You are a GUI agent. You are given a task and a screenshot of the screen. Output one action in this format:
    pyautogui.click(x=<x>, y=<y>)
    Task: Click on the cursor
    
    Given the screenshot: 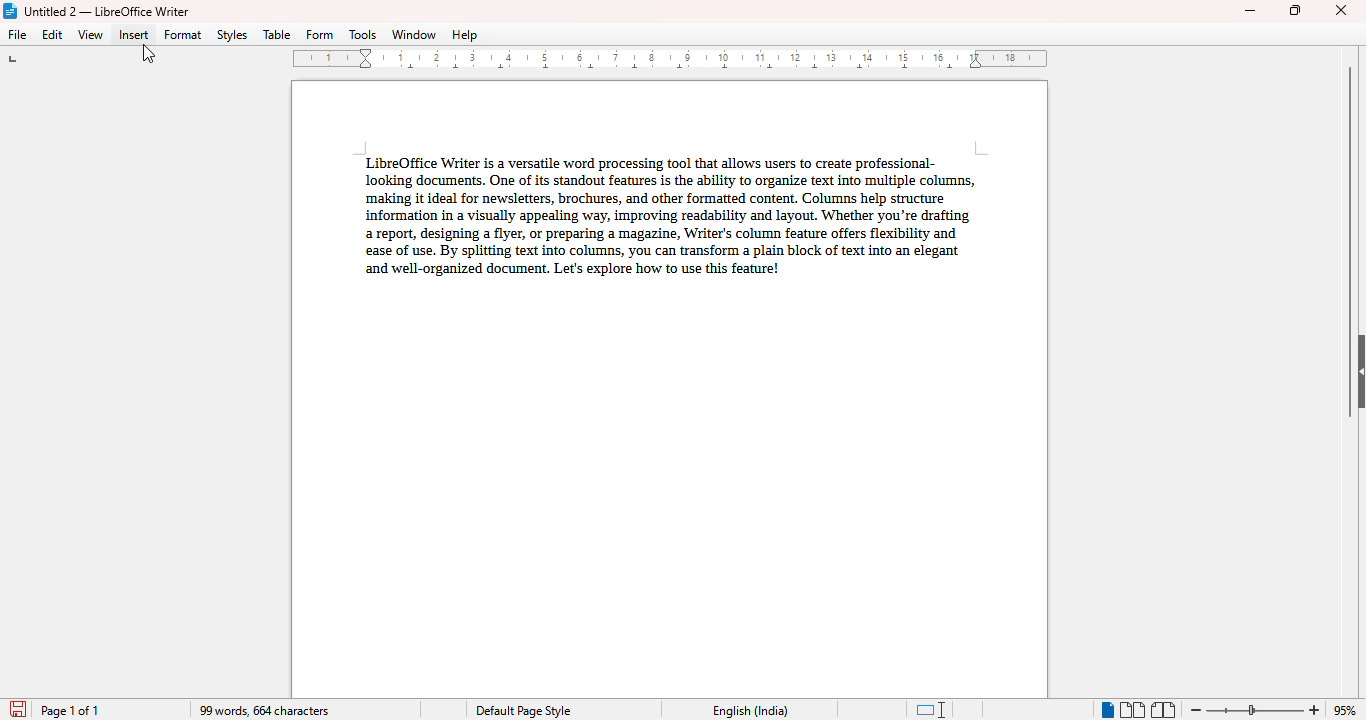 What is the action you would take?
    pyautogui.click(x=148, y=54)
    